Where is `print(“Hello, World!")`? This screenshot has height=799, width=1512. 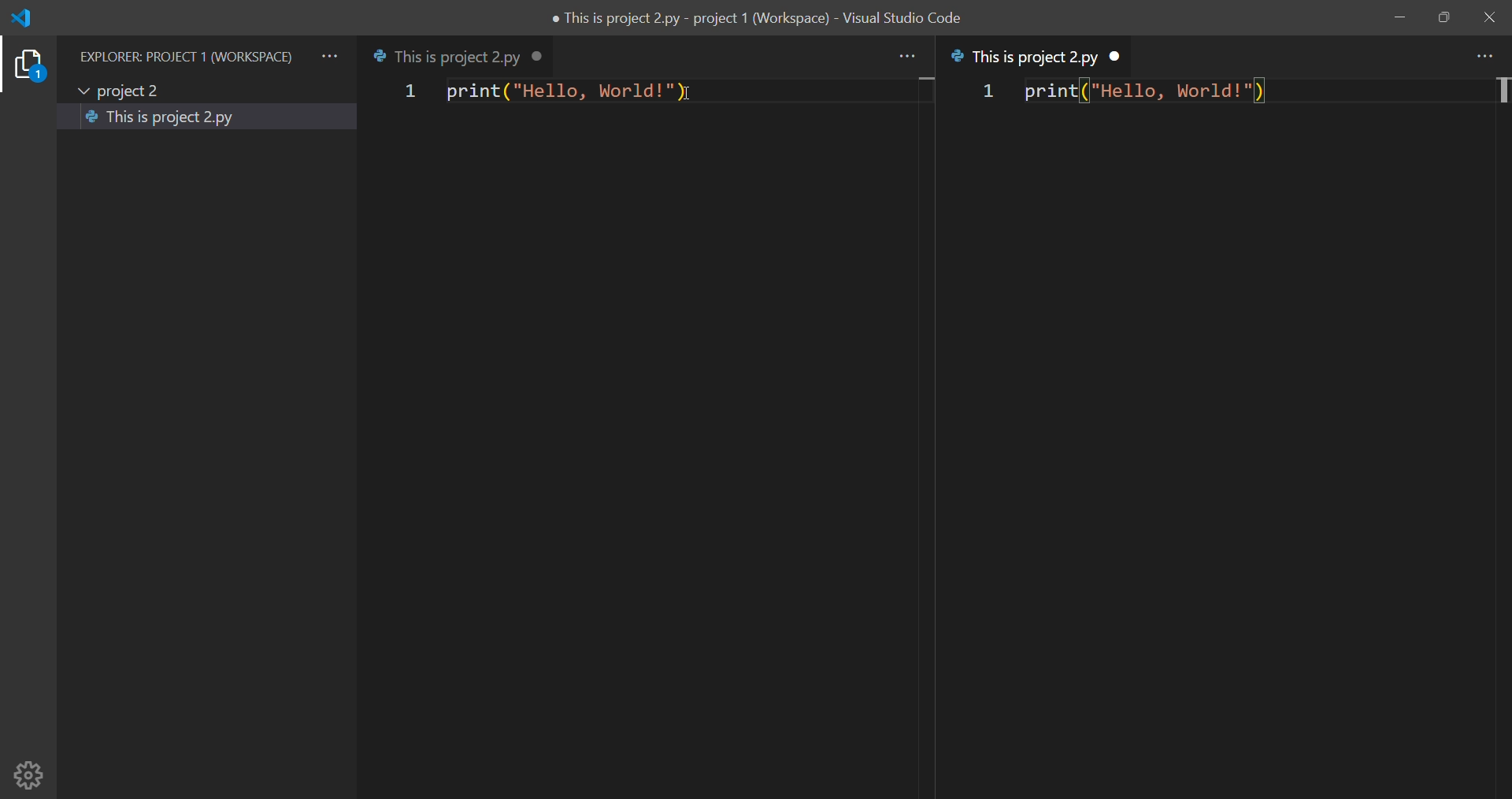
print(“Hello, World!") is located at coordinates (574, 95).